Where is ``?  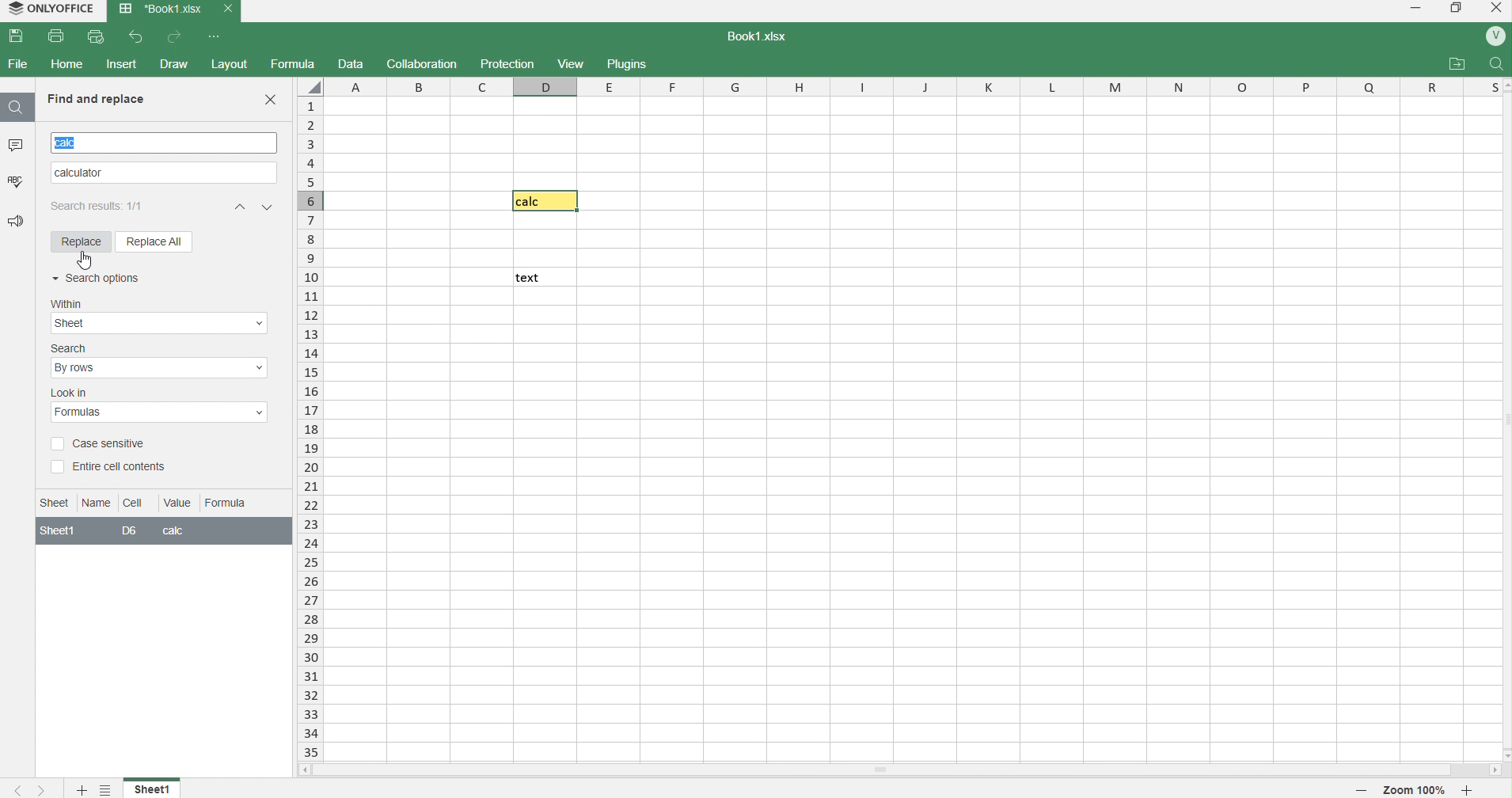
 is located at coordinates (50, 502).